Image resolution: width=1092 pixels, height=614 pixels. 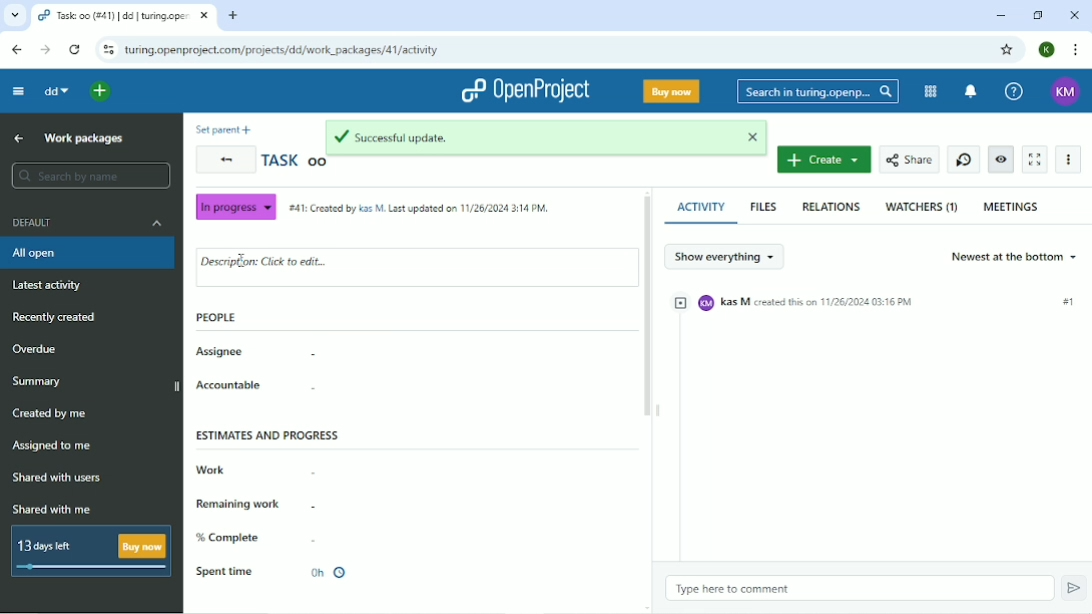 What do you see at coordinates (1008, 49) in the screenshot?
I see `Bookmark this tab` at bounding box center [1008, 49].